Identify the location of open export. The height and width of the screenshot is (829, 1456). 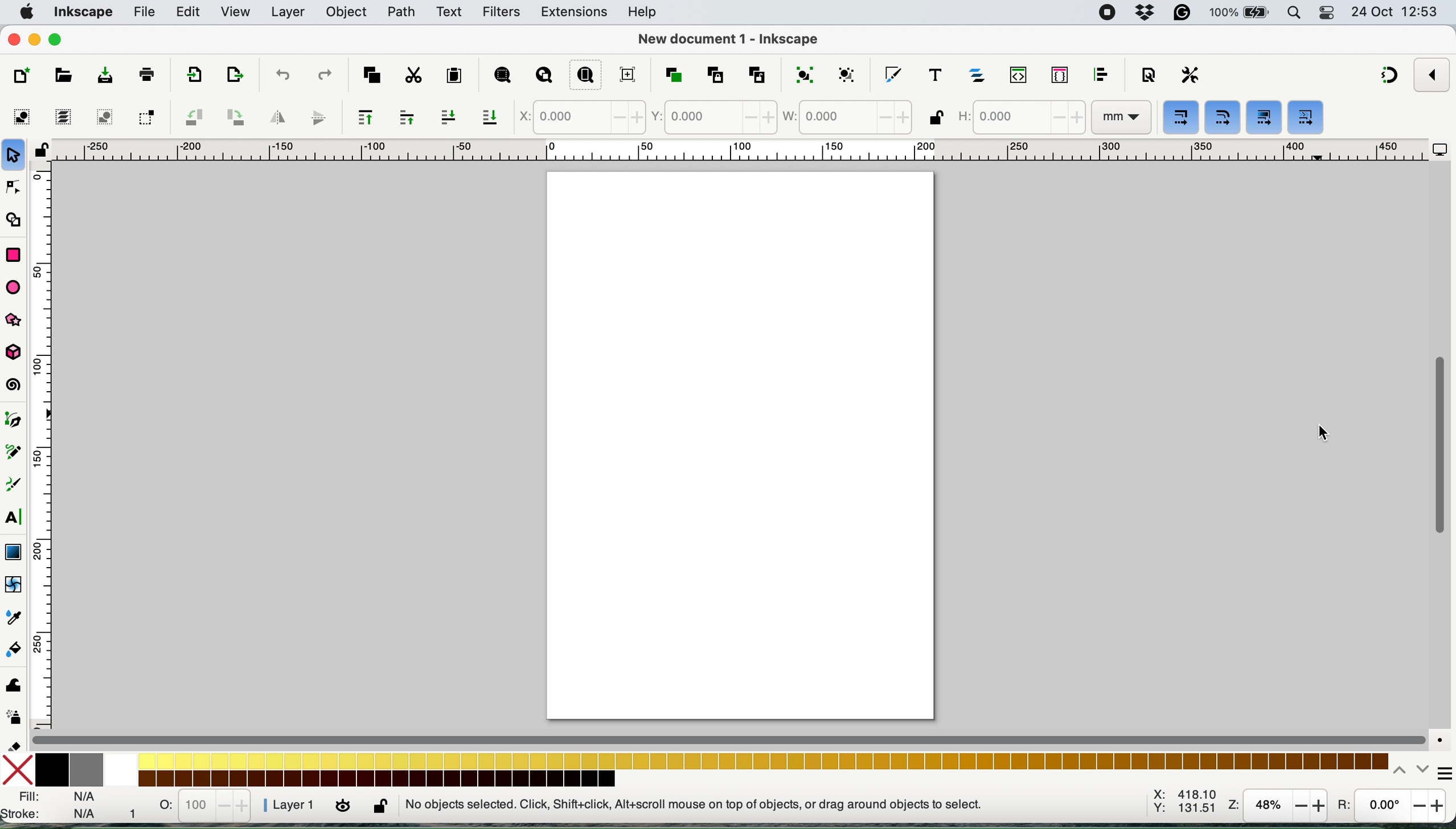
(233, 75).